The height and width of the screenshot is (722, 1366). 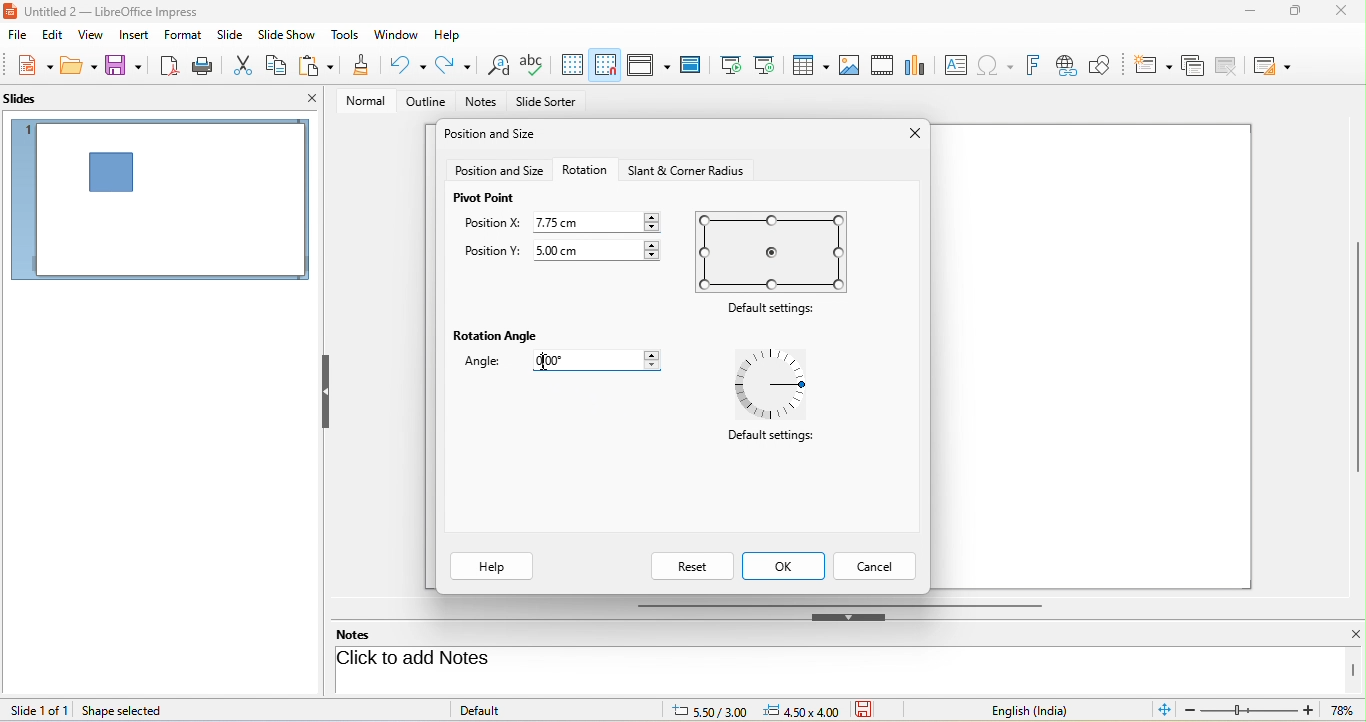 What do you see at coordinates (9, 10) in the screenshot?
I see `libre office impress logo` at bounding box center [9, 10].